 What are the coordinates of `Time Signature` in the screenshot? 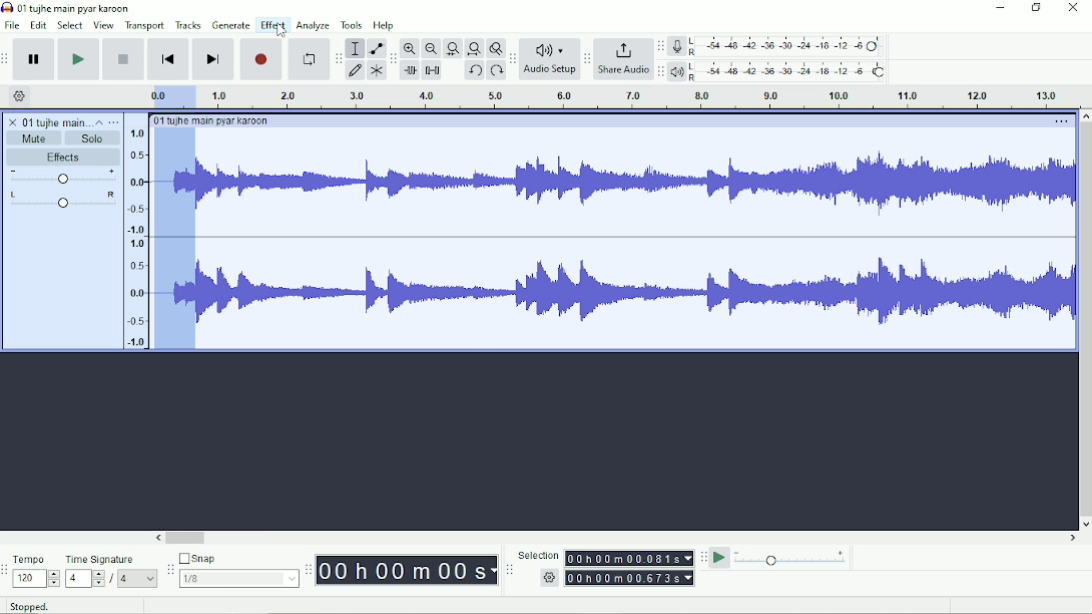 It's located at (110, 559).